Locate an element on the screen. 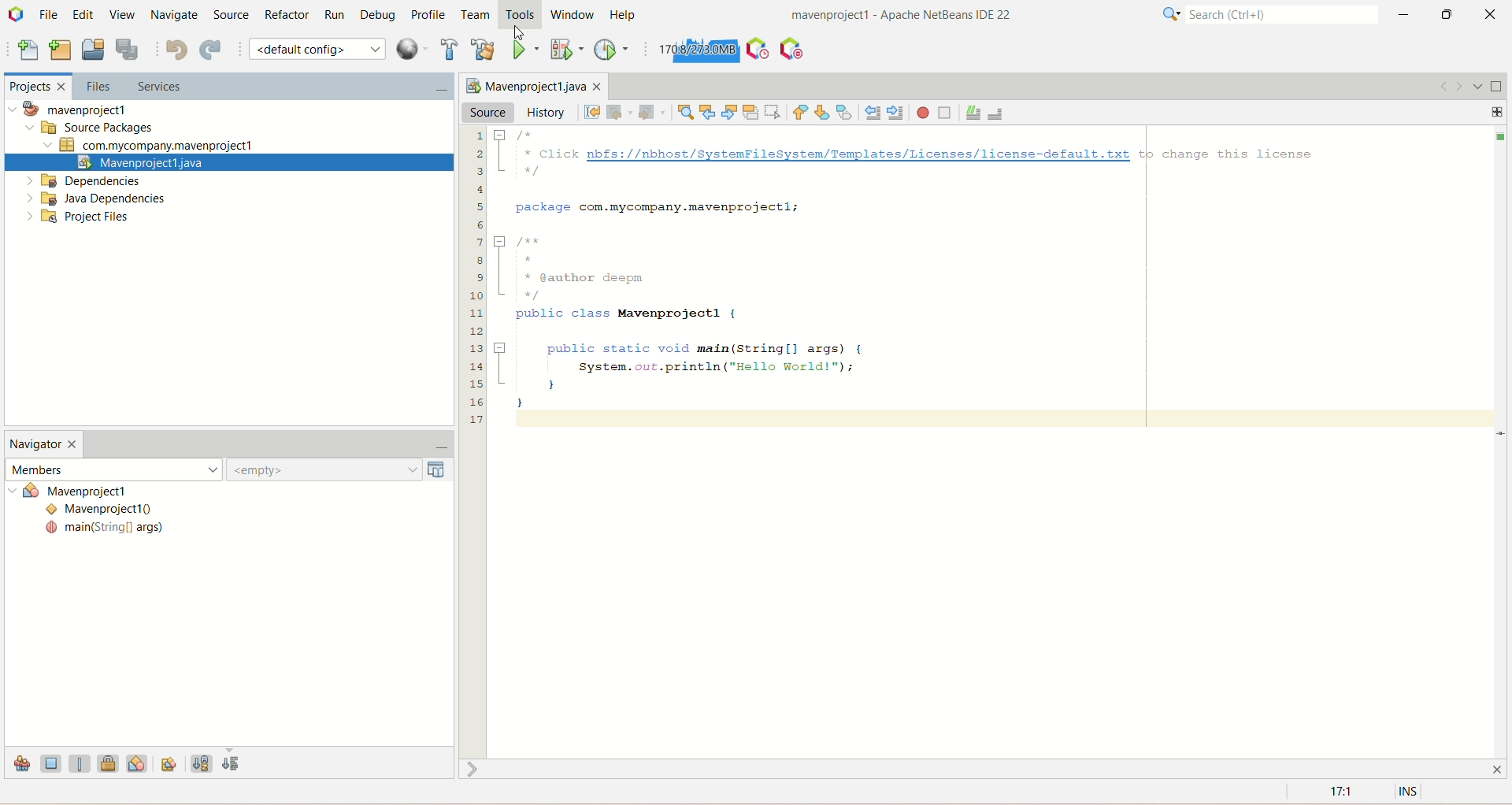 The width and height of the screenshot is (1512, 805). toggle bookmark is located at coordinates (847, 112).